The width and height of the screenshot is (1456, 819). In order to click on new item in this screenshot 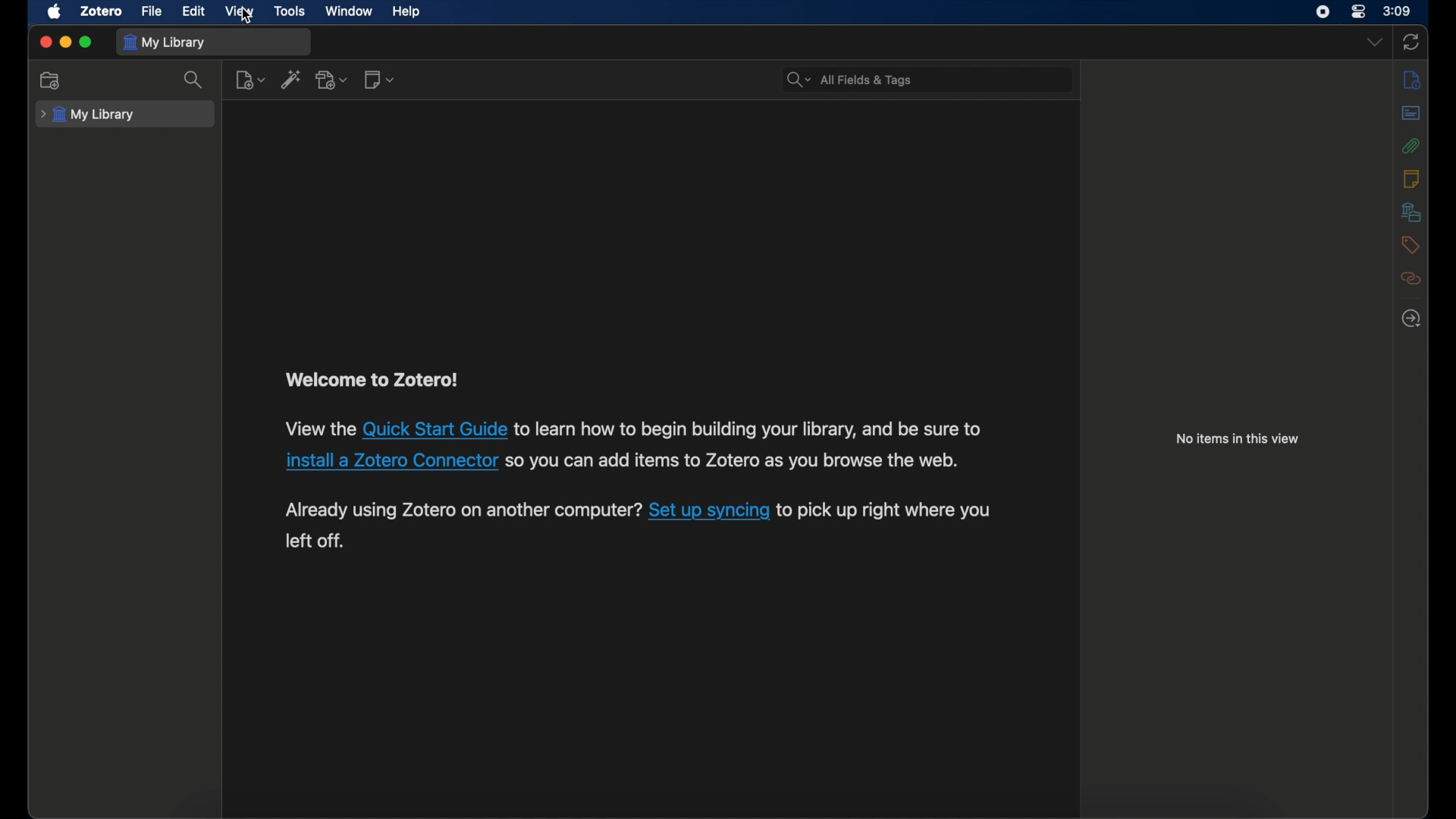, I will do `click(249, 79)`.